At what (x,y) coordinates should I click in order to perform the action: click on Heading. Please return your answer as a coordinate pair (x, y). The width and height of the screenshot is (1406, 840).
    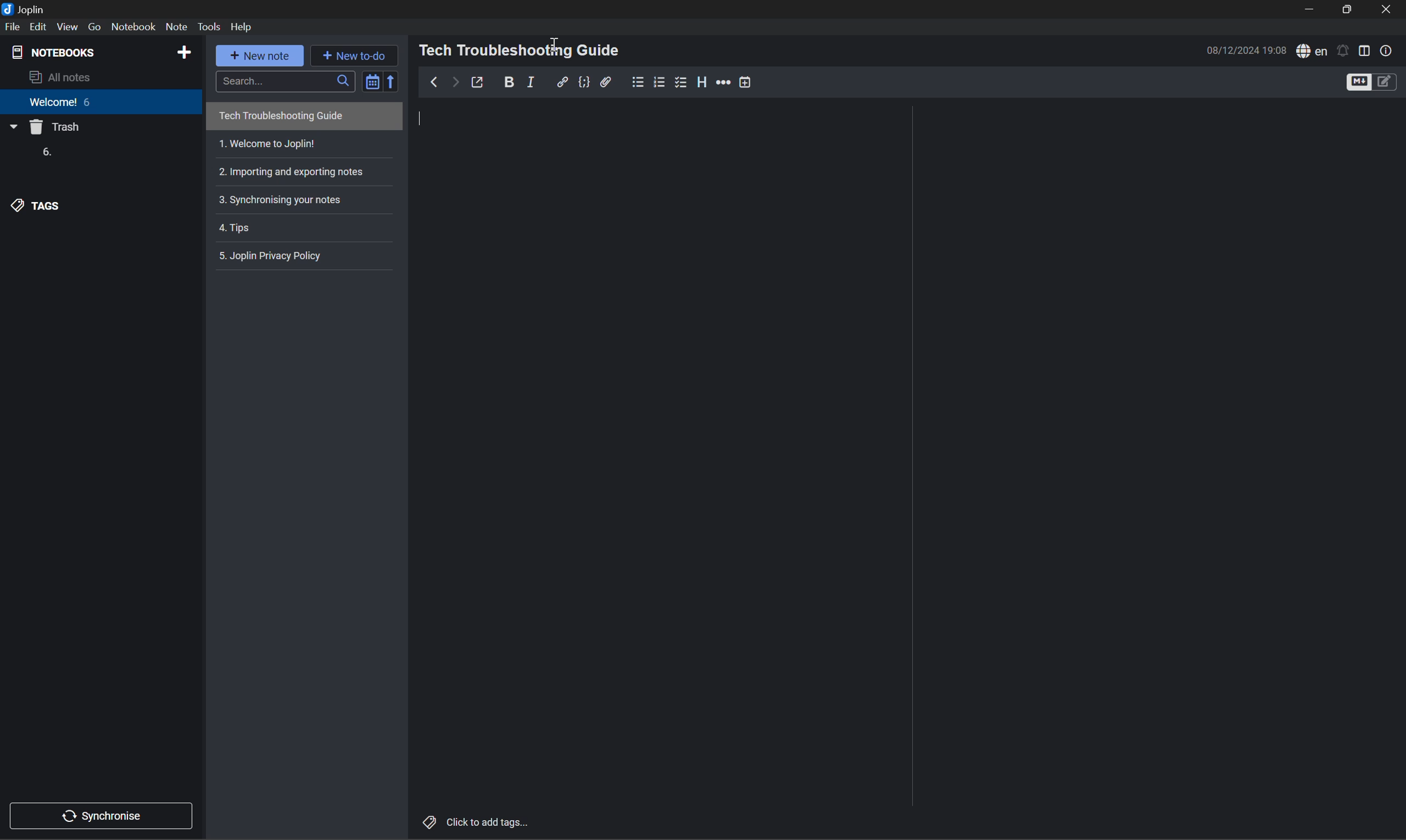
    Looking at the image, I should click on (702, 82).